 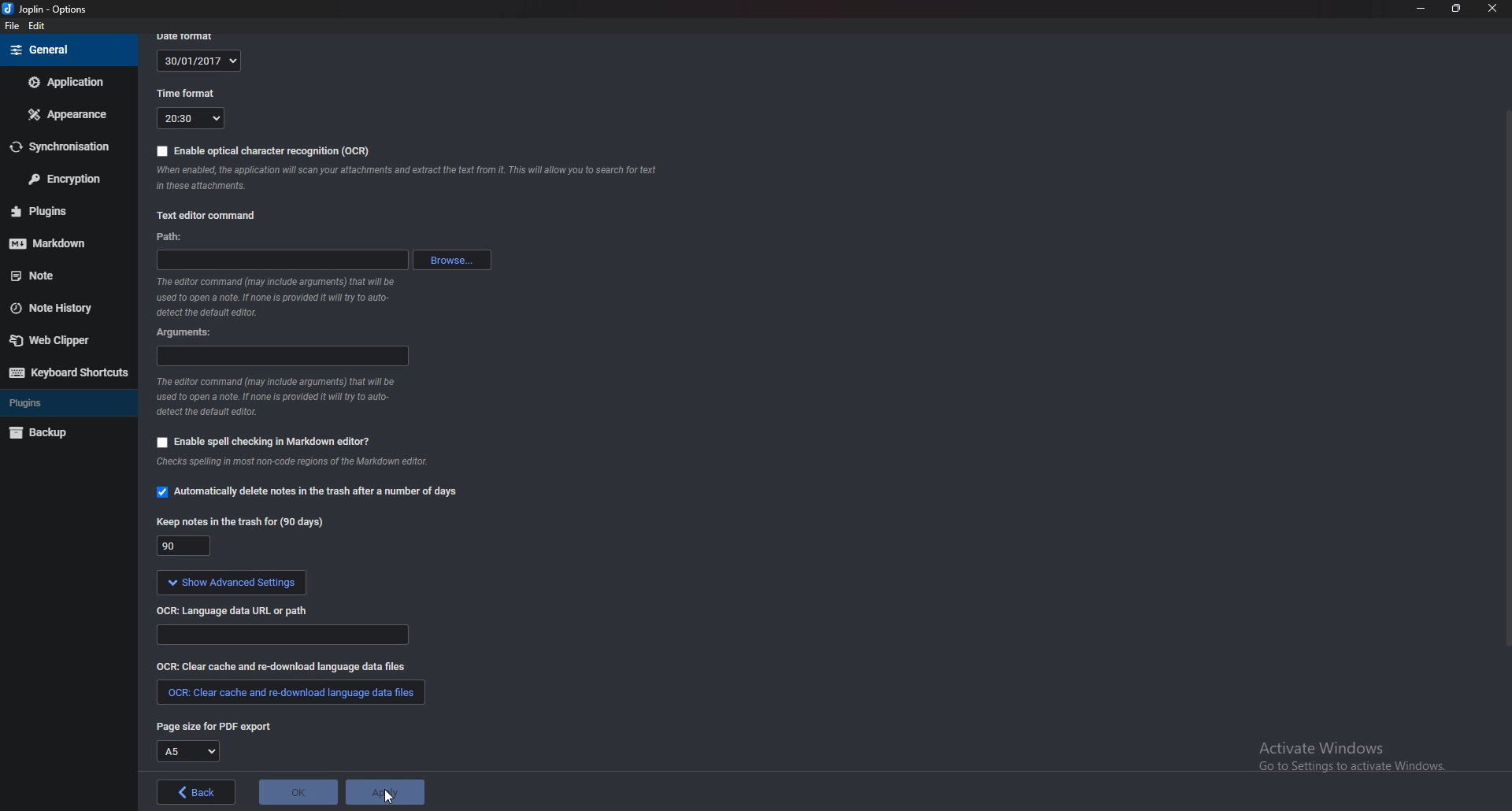 I want to click on Plugins, so click(x=59, y=211).